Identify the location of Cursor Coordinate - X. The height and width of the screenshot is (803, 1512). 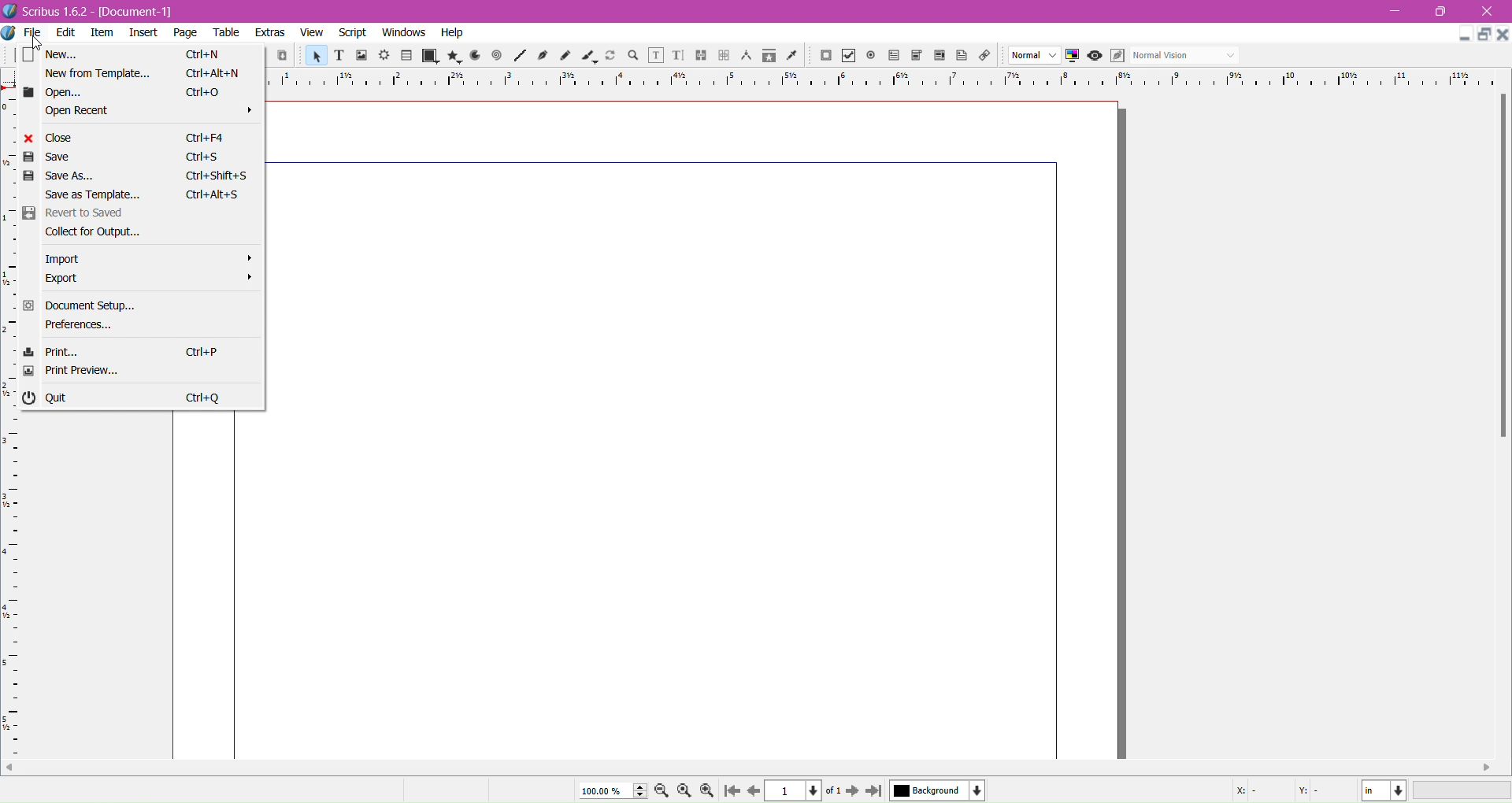
(1262, 790).